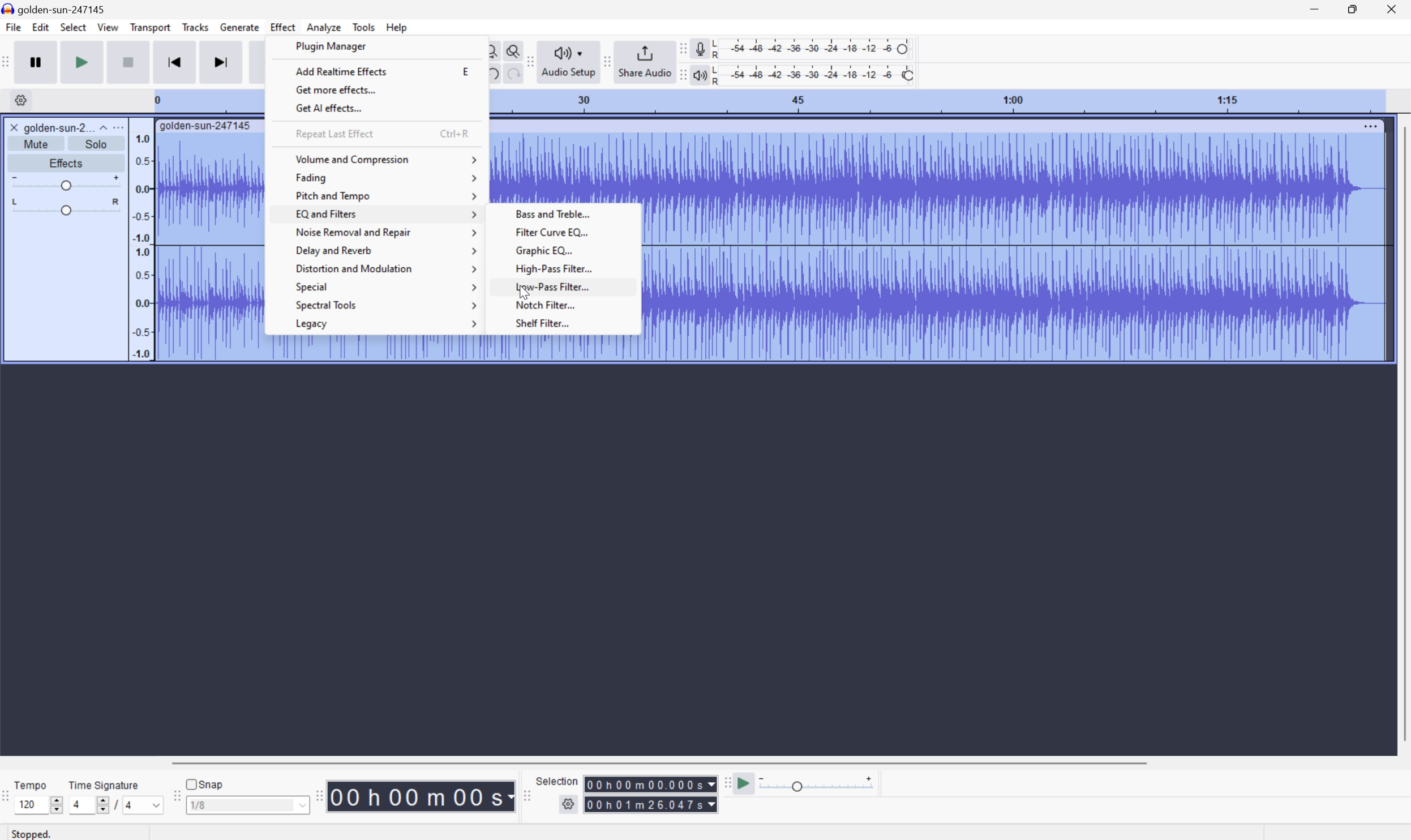 This screenshot has height=840, width=1411. Describe the element at coordinates (398, 28) in the screenshot. I see `Help` at that location.